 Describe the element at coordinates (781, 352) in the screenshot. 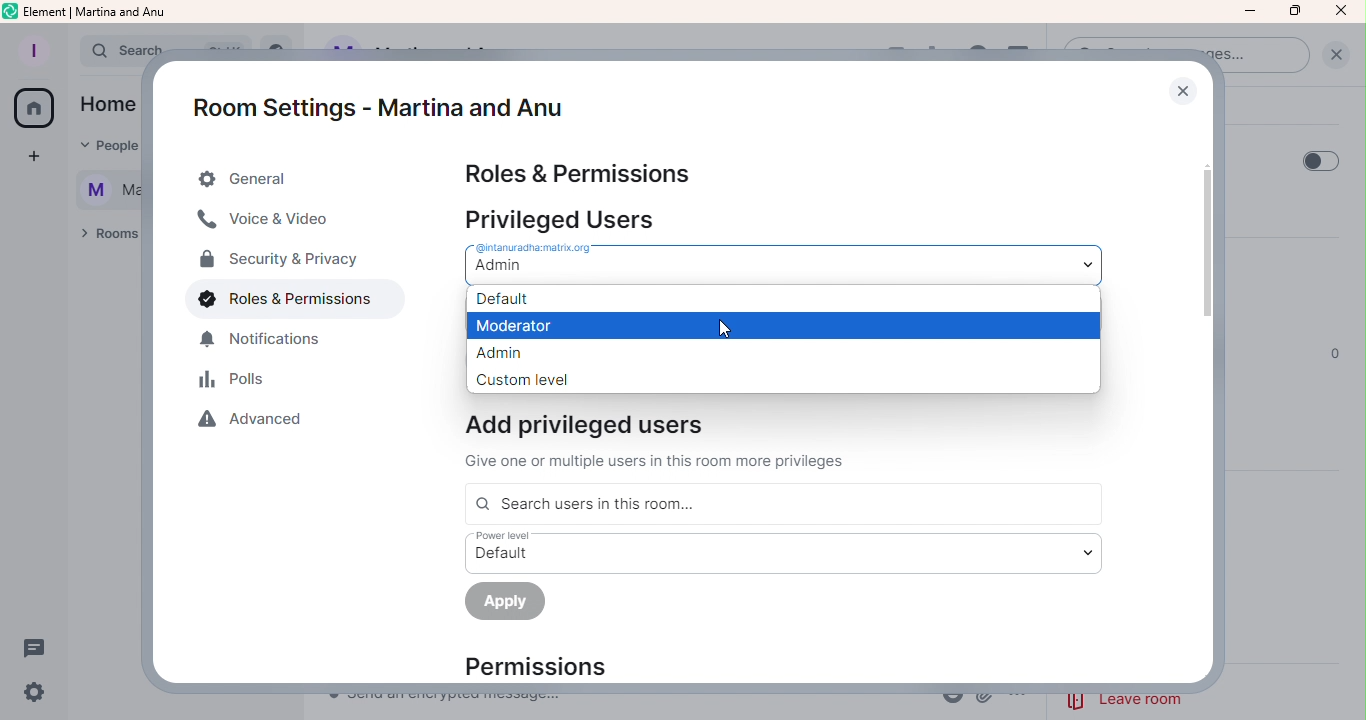

I see `Admin` at that location.